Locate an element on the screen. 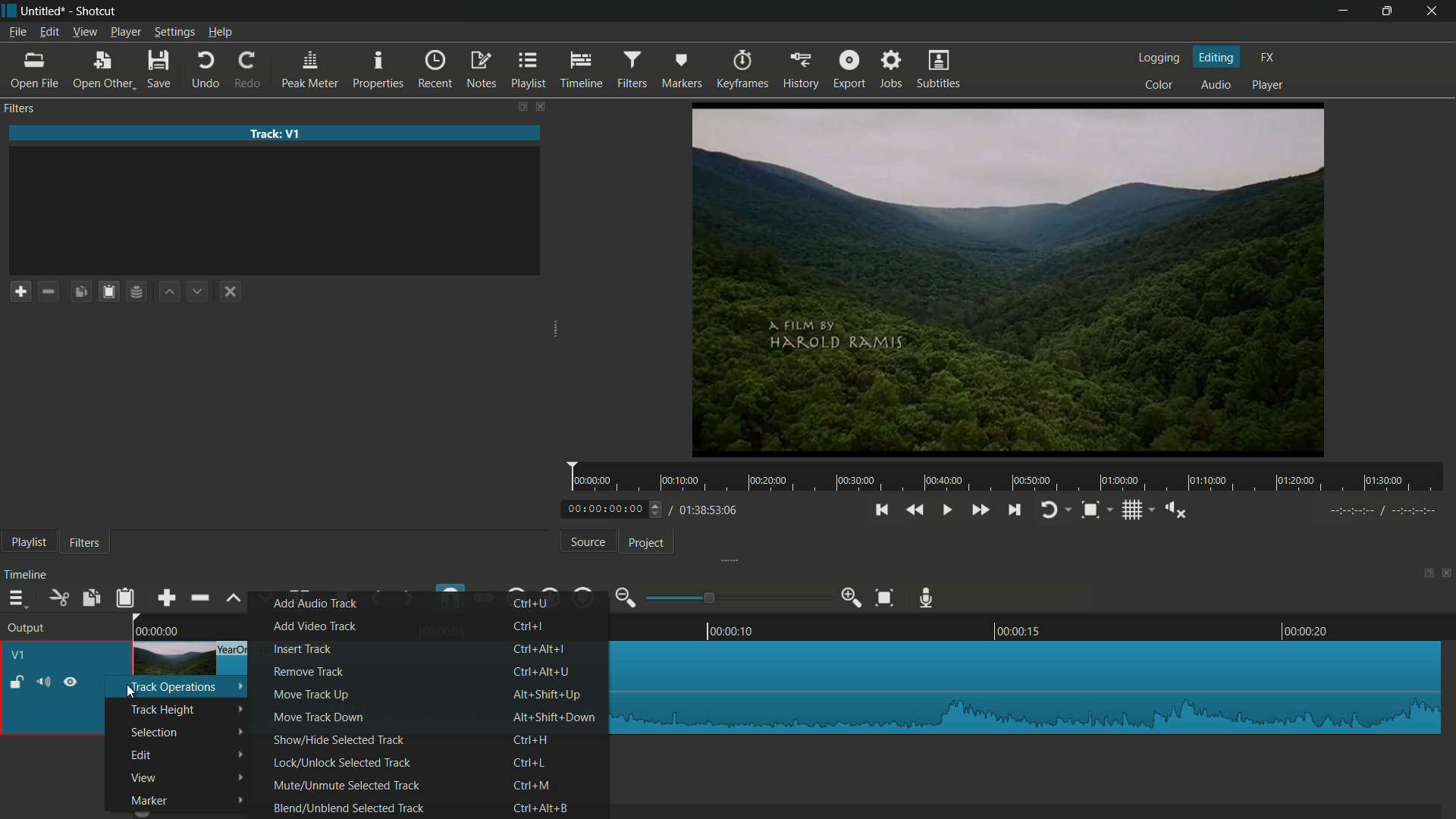 The image size is (1456, 819). history is located at coordinates (800, 71).